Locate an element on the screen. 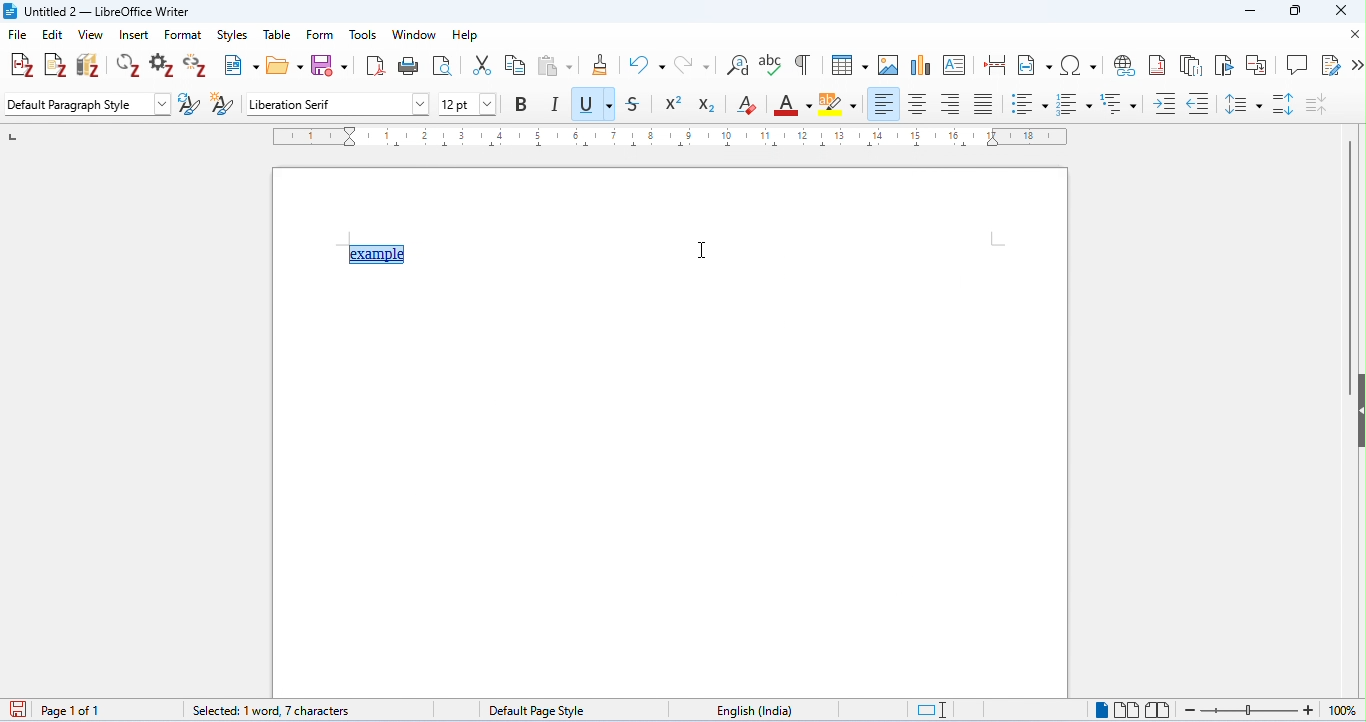  text cursor is located at coordinates (706, 251).